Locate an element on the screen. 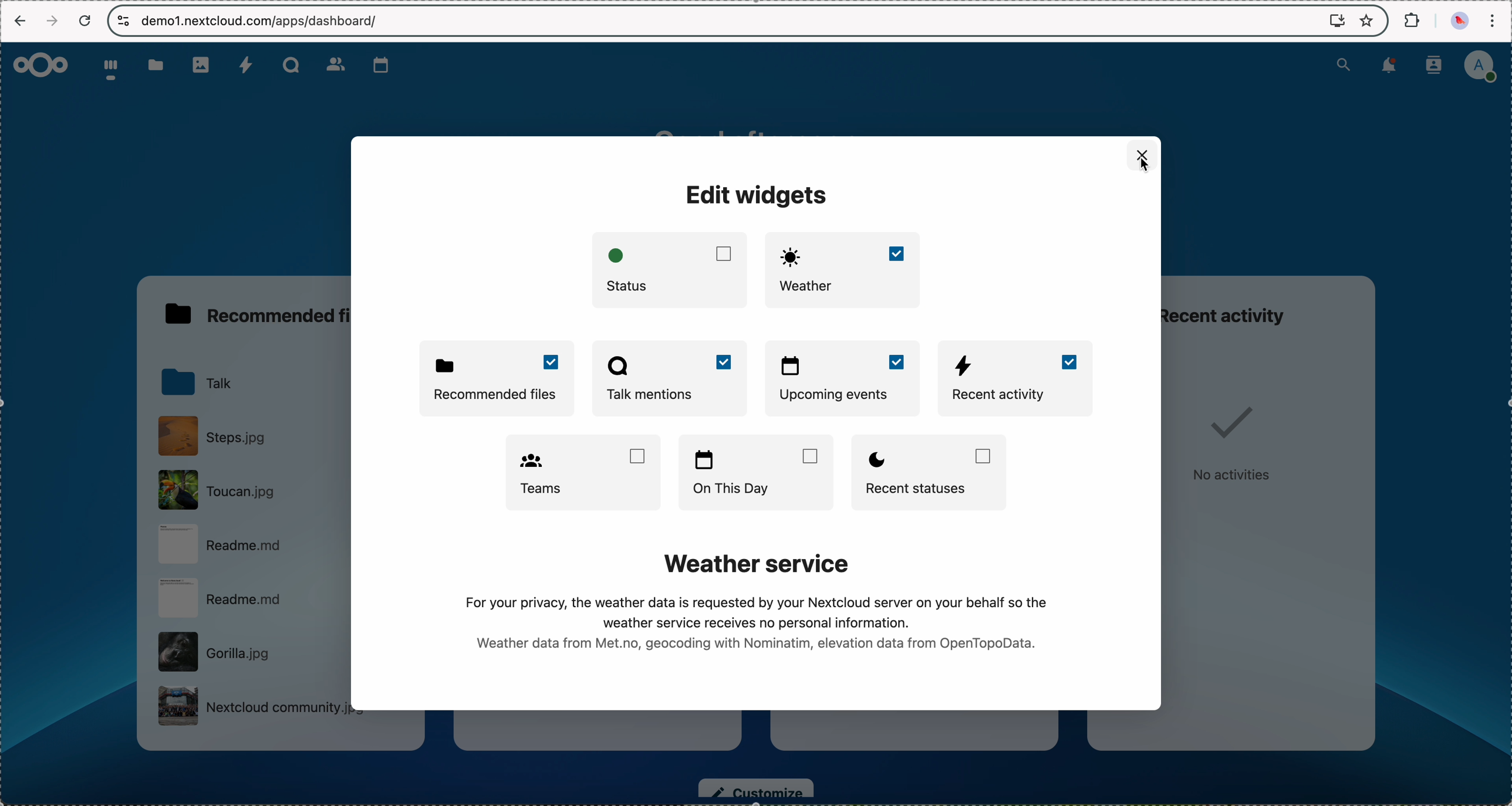  URL is located at coordinates (262, 21).